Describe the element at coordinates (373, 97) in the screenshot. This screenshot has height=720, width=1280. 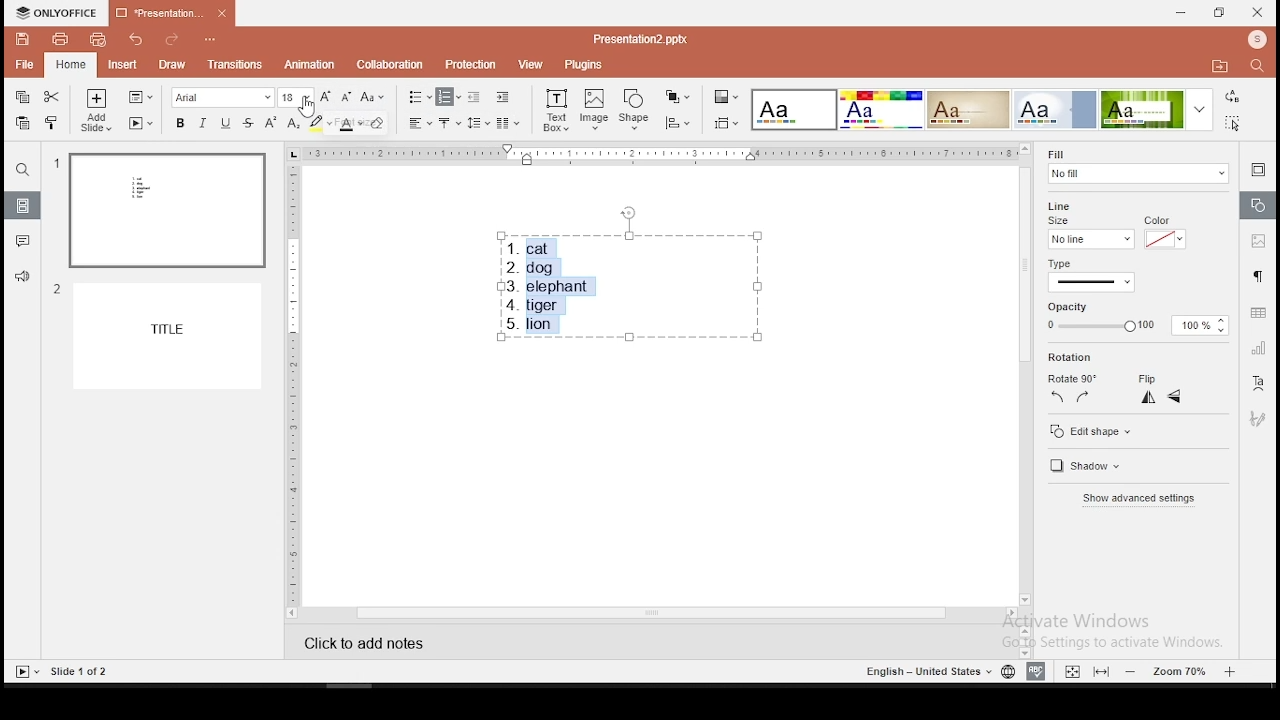
I see `change case` at that location.